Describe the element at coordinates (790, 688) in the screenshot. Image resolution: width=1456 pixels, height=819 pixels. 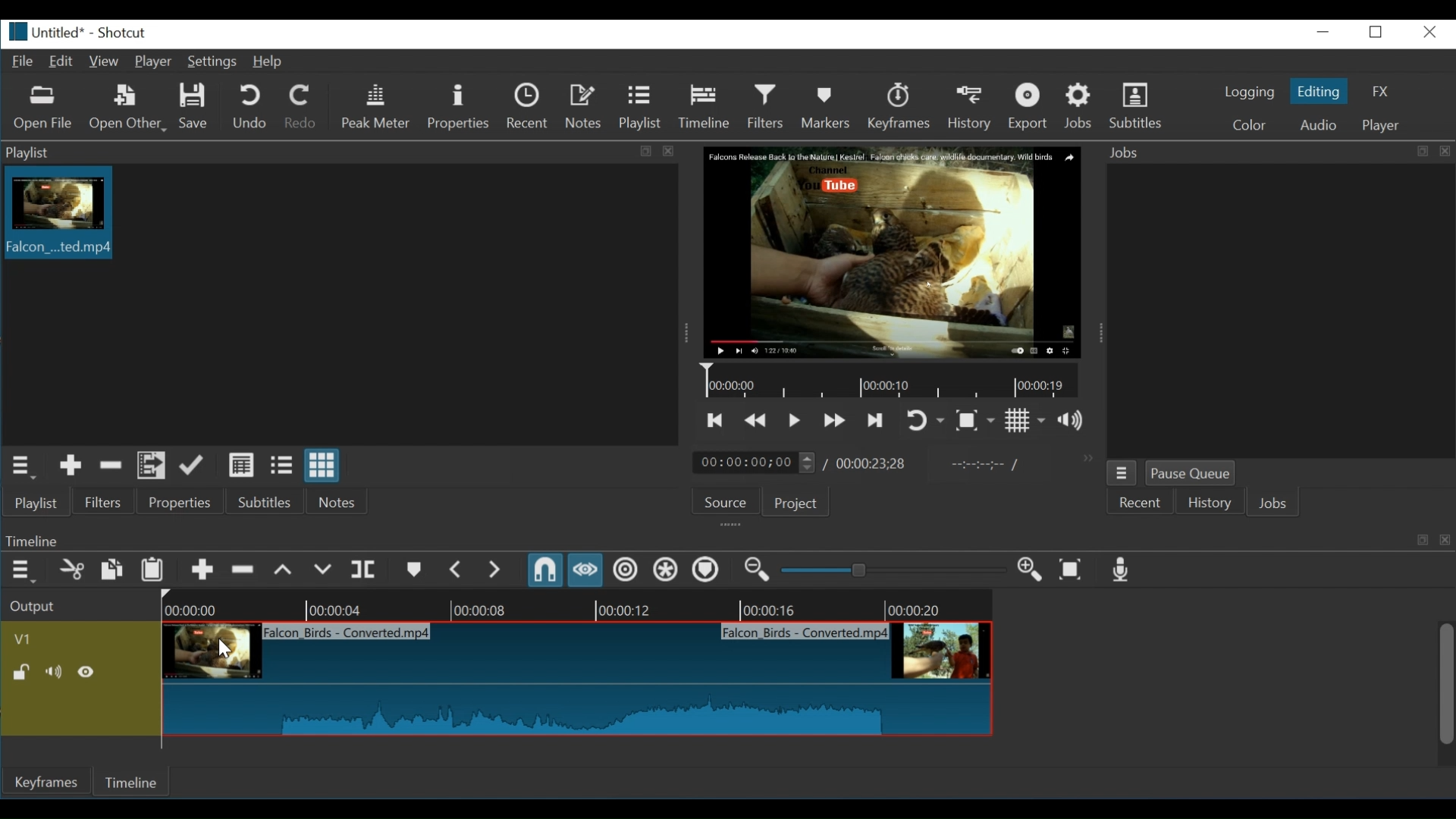
I see `Video clip on timeline` at that location.